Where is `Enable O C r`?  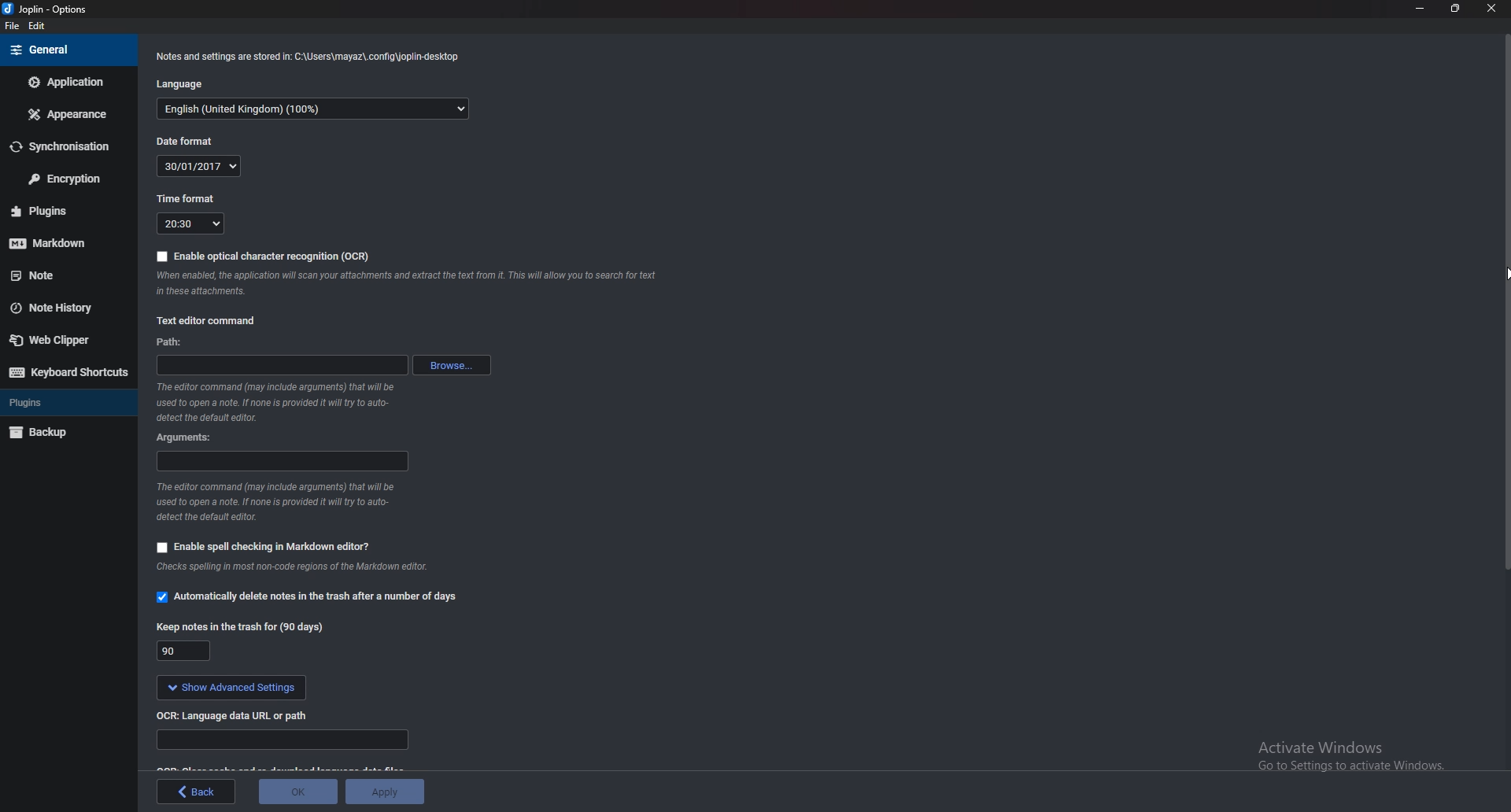
Enable O C r is located at coordinates (264, 257).